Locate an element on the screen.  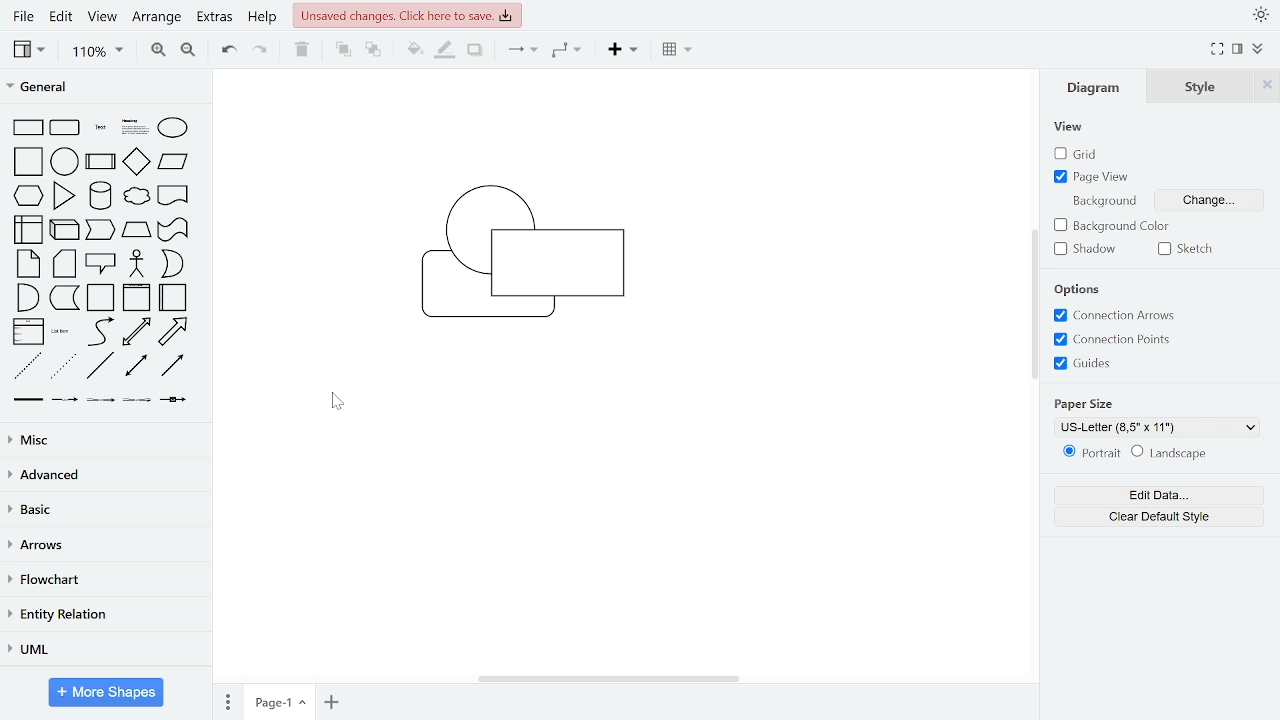
view is located at coordinates (1071, 128).